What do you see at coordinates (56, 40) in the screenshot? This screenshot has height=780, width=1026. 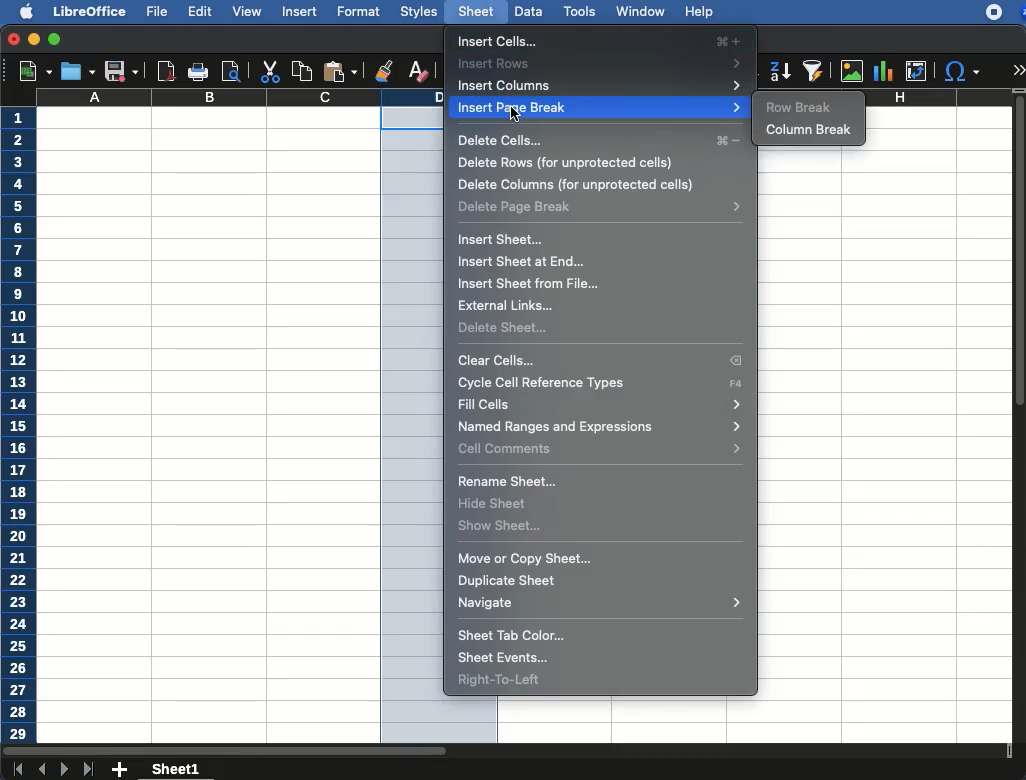 I see `maximize` at bounding box center [56, 40].